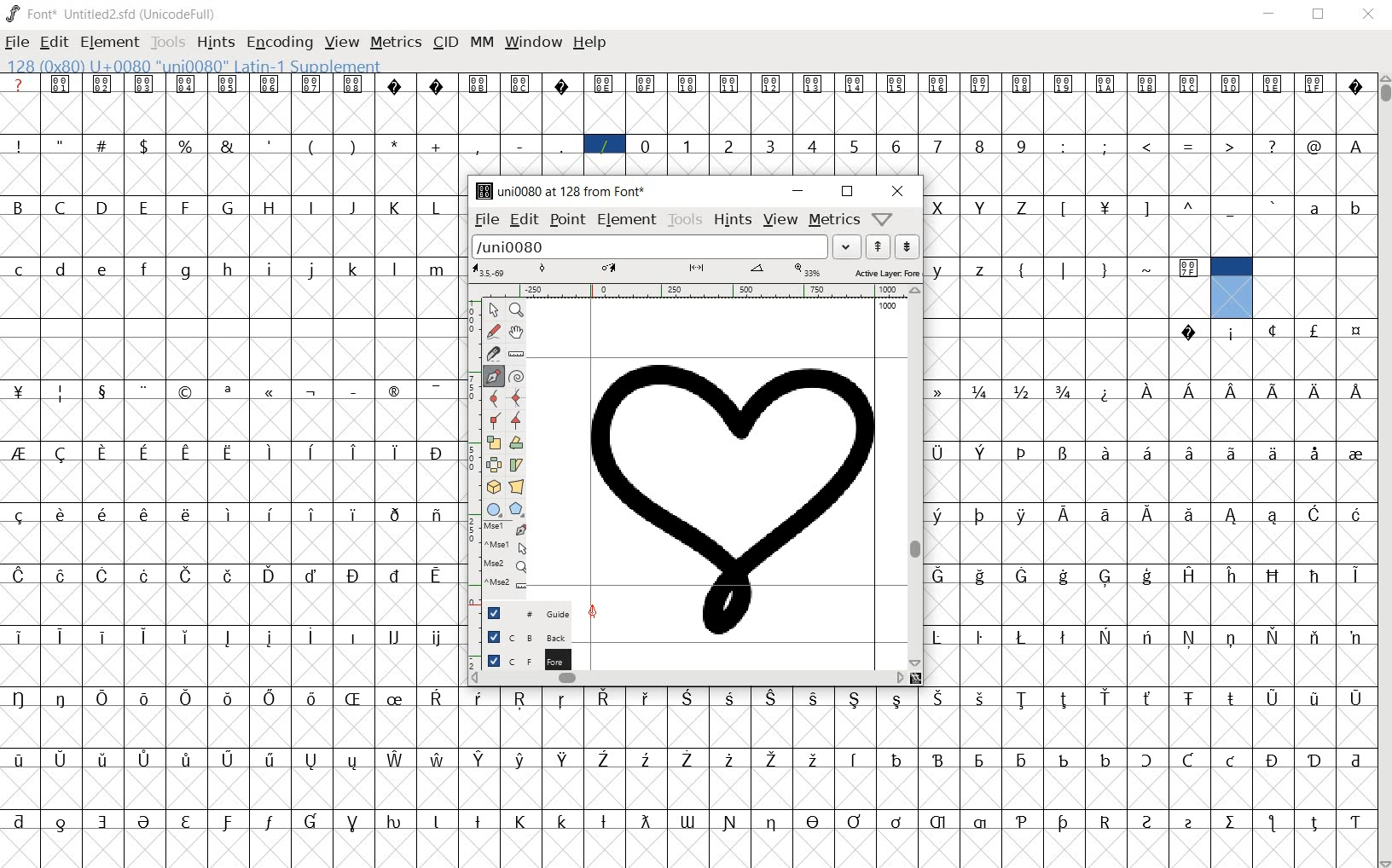 This screenshot has height=868, width=1392. What do you see at coordinates (310, 270) in the screenshot?
I see `glyph` at bounding box center [310, 270].